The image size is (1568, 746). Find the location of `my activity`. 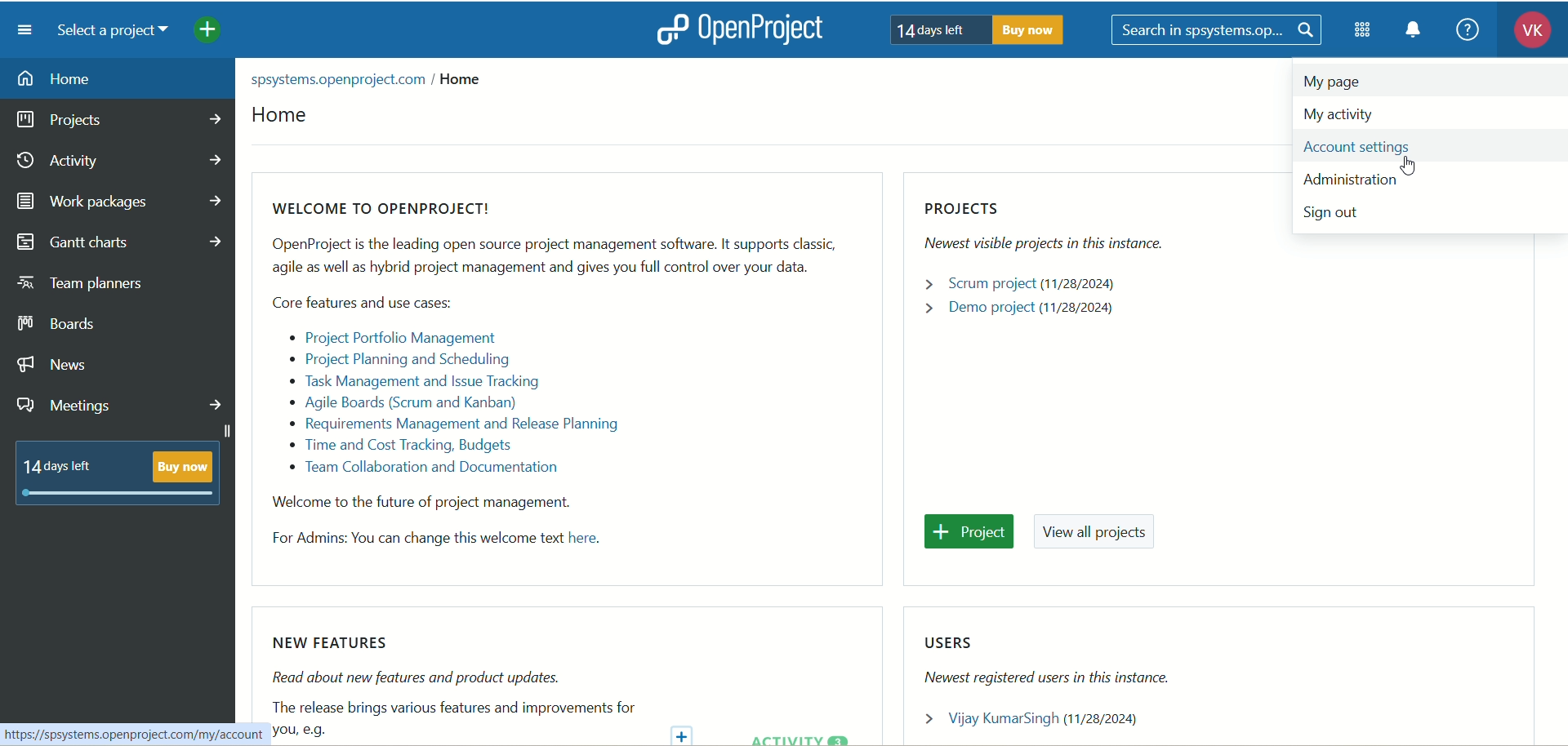

my activity is located at coordinates (1396, 111).